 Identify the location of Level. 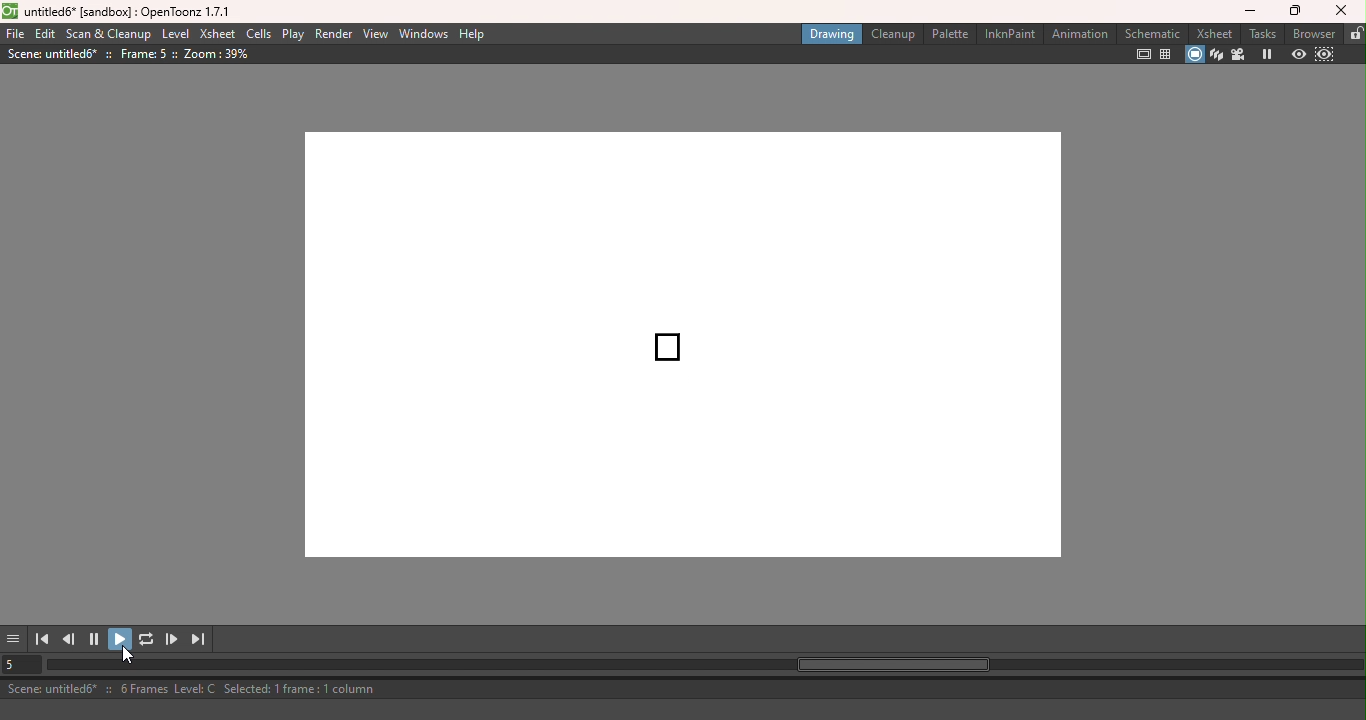
(175, 34).